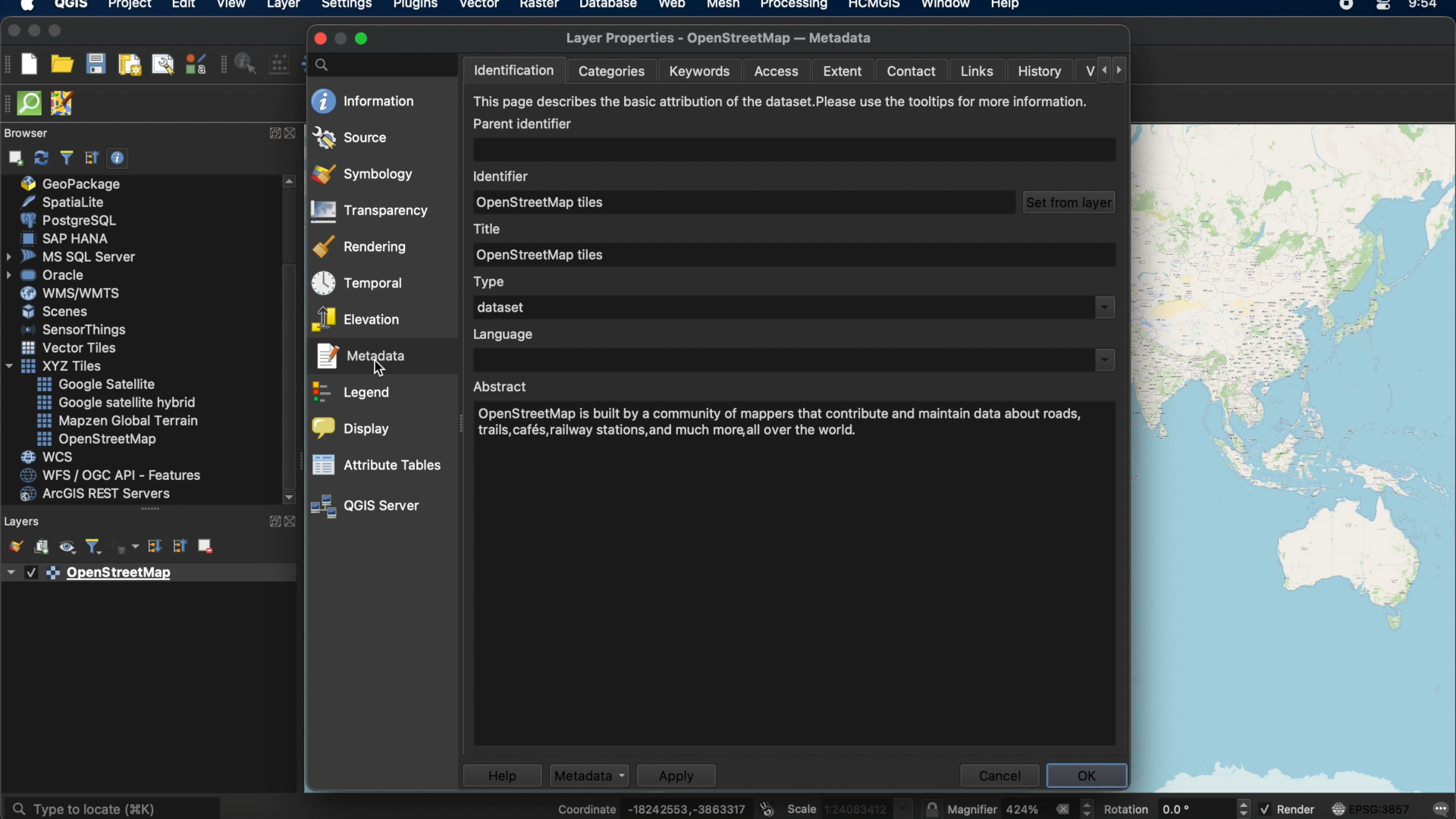  Describe the element at coordinates (96, 440) in the screenshot. I see `open street map` at that location.